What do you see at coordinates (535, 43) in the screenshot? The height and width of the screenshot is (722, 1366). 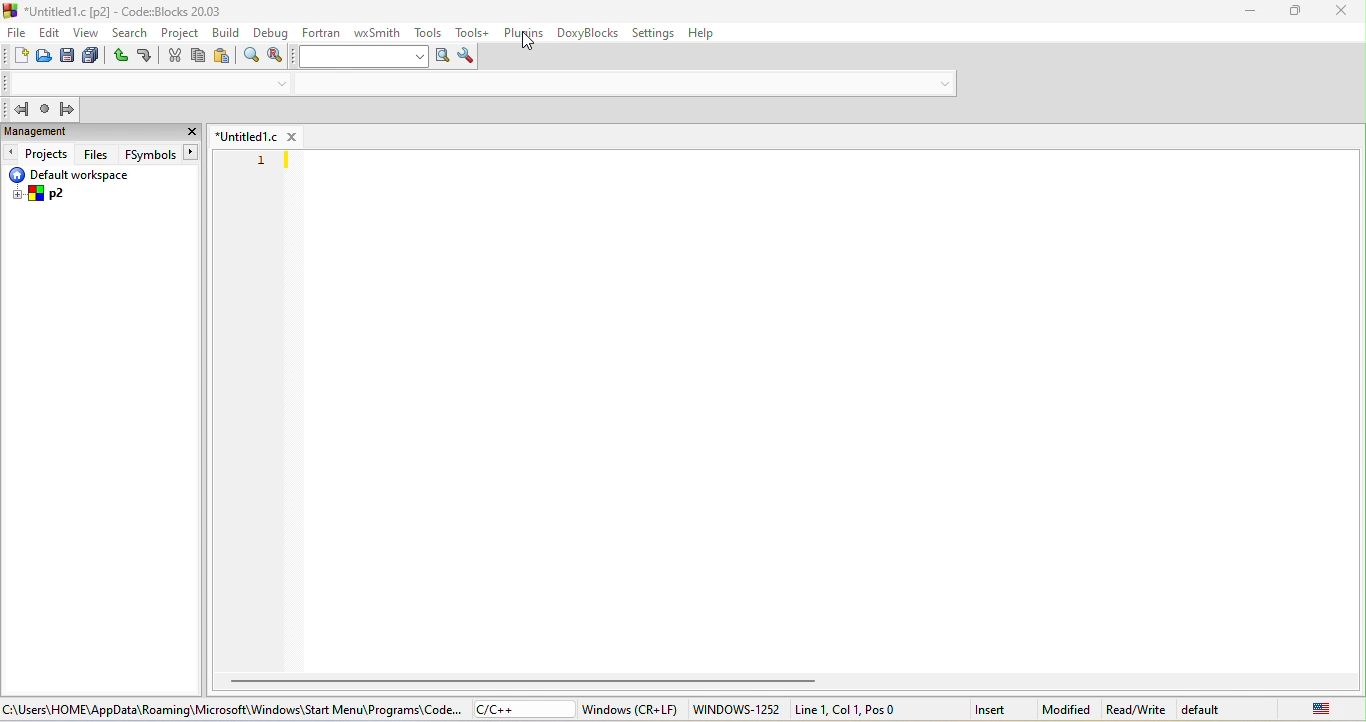 I see `cursor` at bounding box center [535, 43].